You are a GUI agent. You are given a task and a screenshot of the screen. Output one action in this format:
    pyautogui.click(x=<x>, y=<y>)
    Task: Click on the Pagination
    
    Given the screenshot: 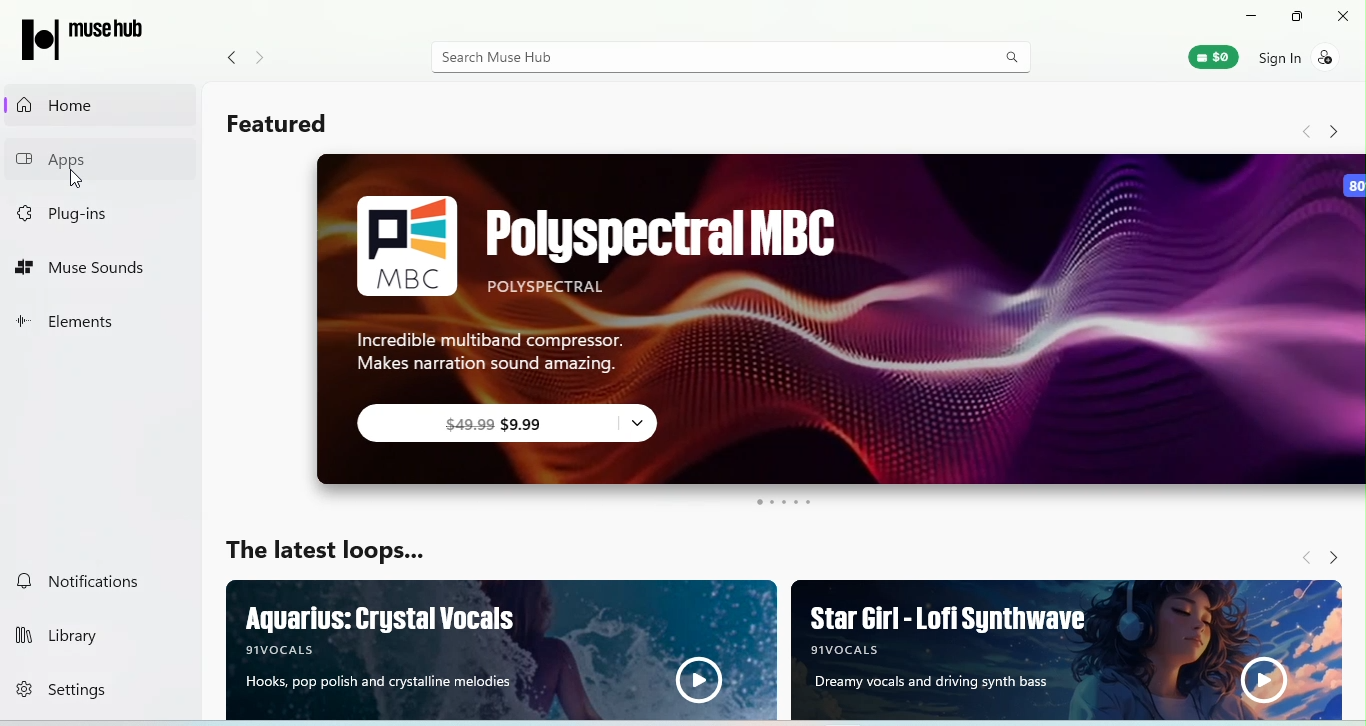 What is the action you would take?
    pyautogui.click(x=782, y=503)
    